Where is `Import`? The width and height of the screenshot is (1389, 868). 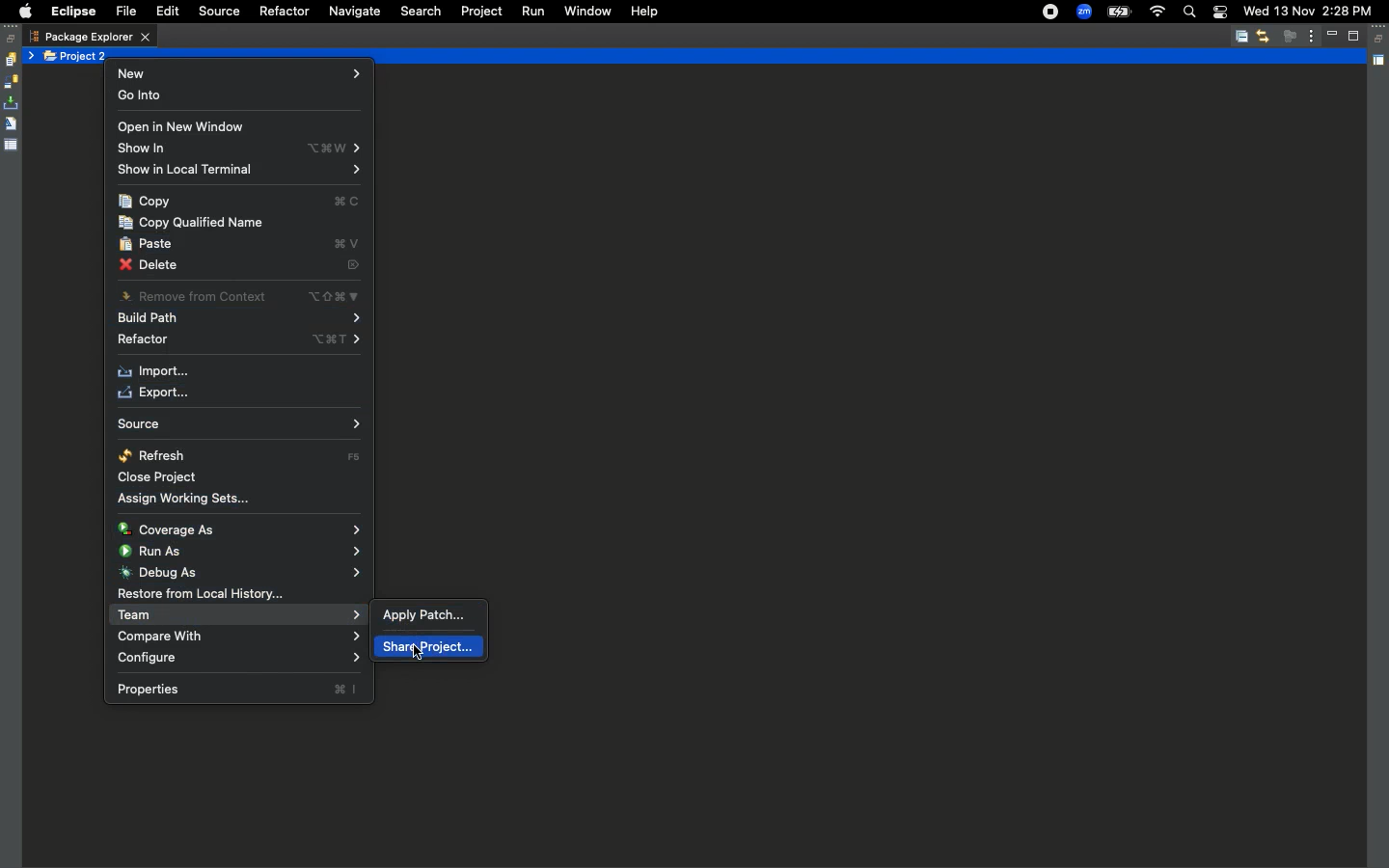 Import is located at coordinates (155, 372).